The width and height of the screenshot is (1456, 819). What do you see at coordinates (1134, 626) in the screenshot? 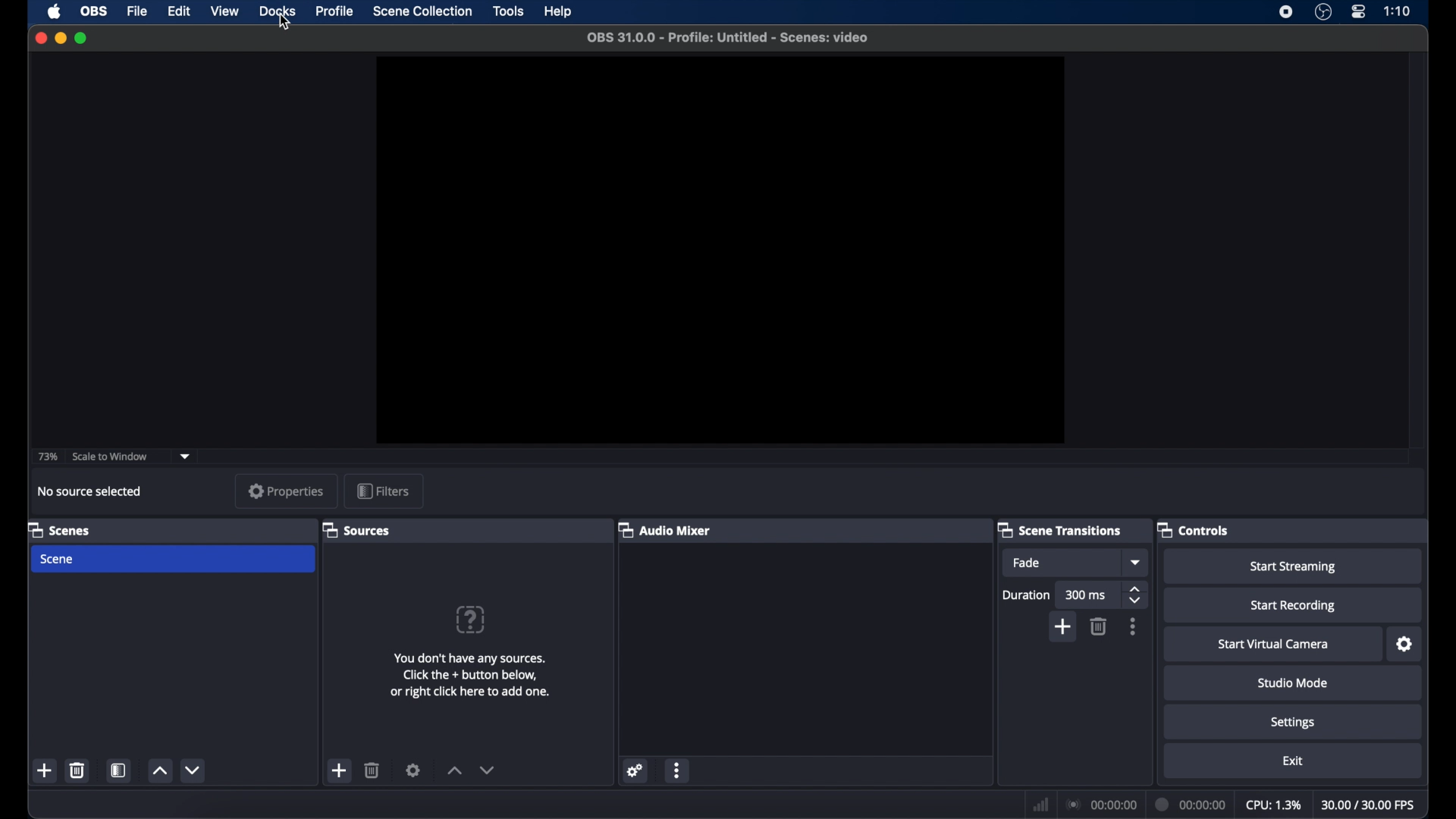
I see `more options` at bounding box center [1134, 626].